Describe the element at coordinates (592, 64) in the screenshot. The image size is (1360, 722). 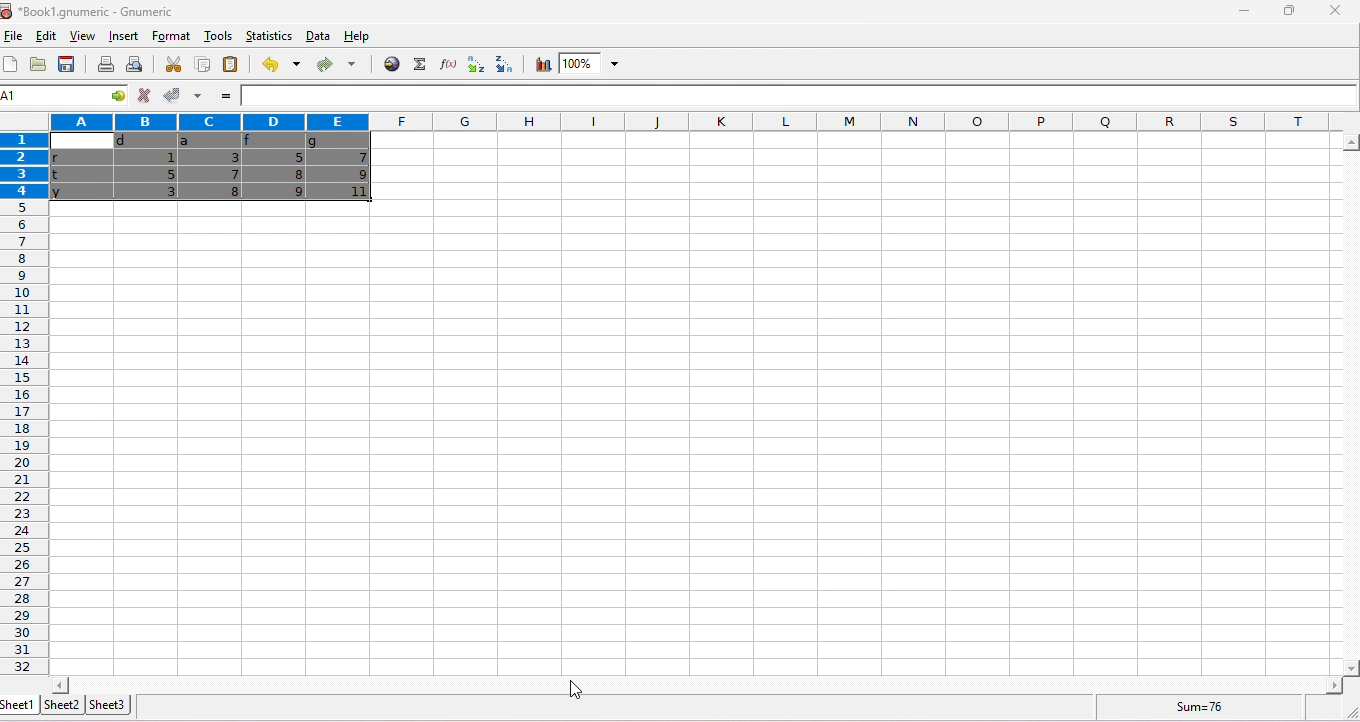
I see `zoom` at that location.